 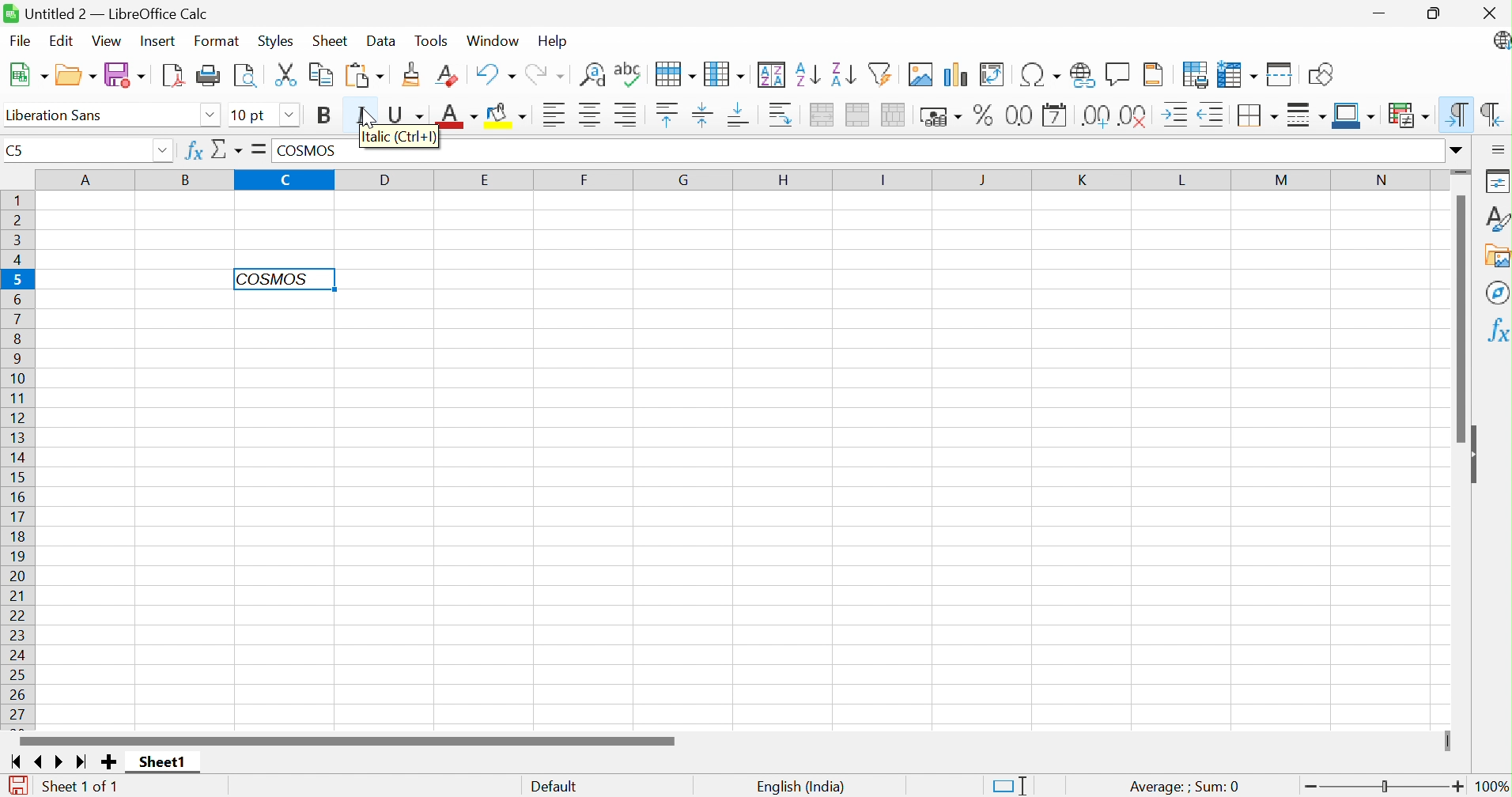 What do you see at coordinates (1458, 786) in the screenshot?
I see `Zoom in` at bounding box center [1458, 786].